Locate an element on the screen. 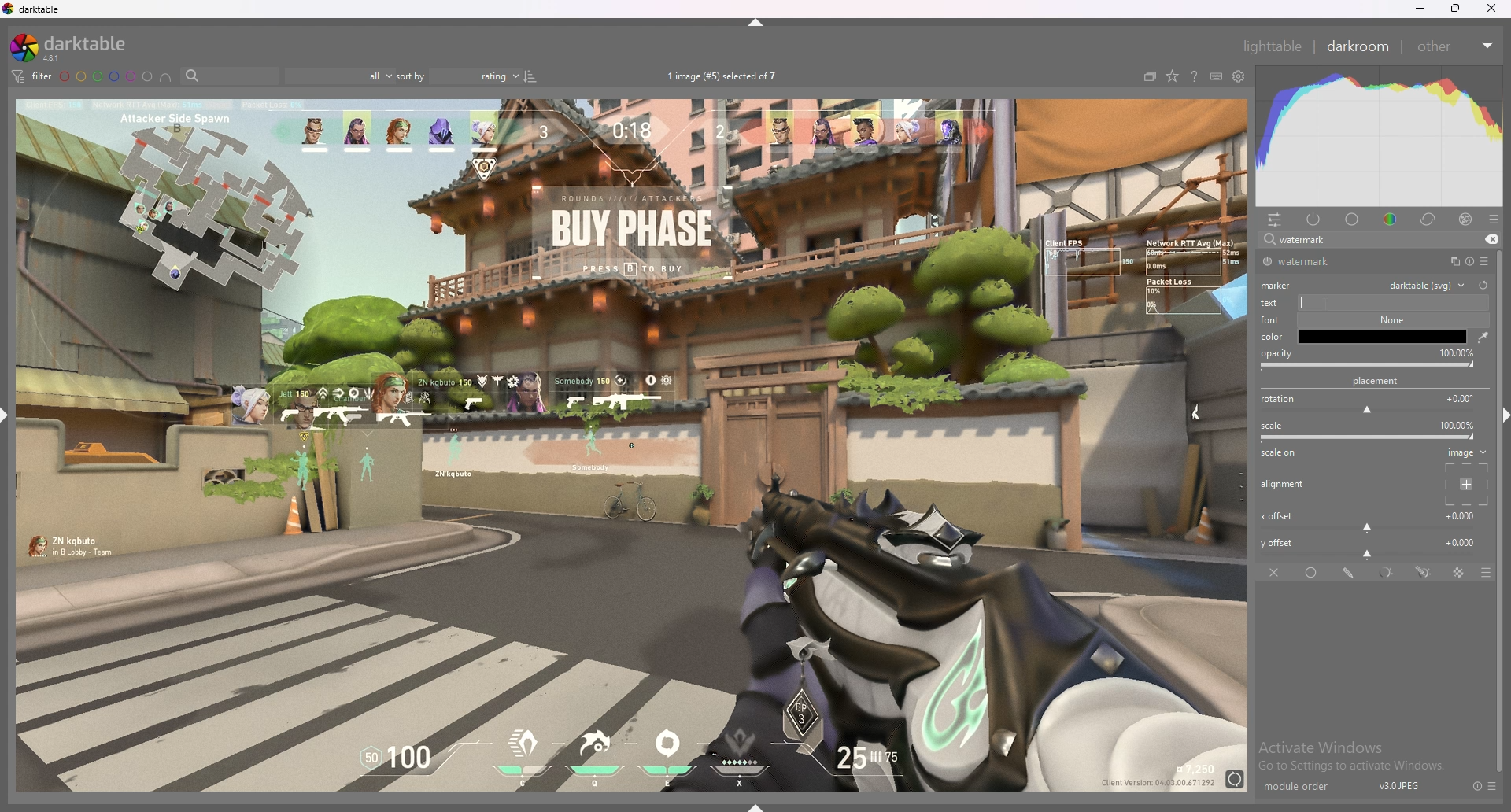 This screenshot has width=1511, height=812. marker is located at coordinates (1279, 284).